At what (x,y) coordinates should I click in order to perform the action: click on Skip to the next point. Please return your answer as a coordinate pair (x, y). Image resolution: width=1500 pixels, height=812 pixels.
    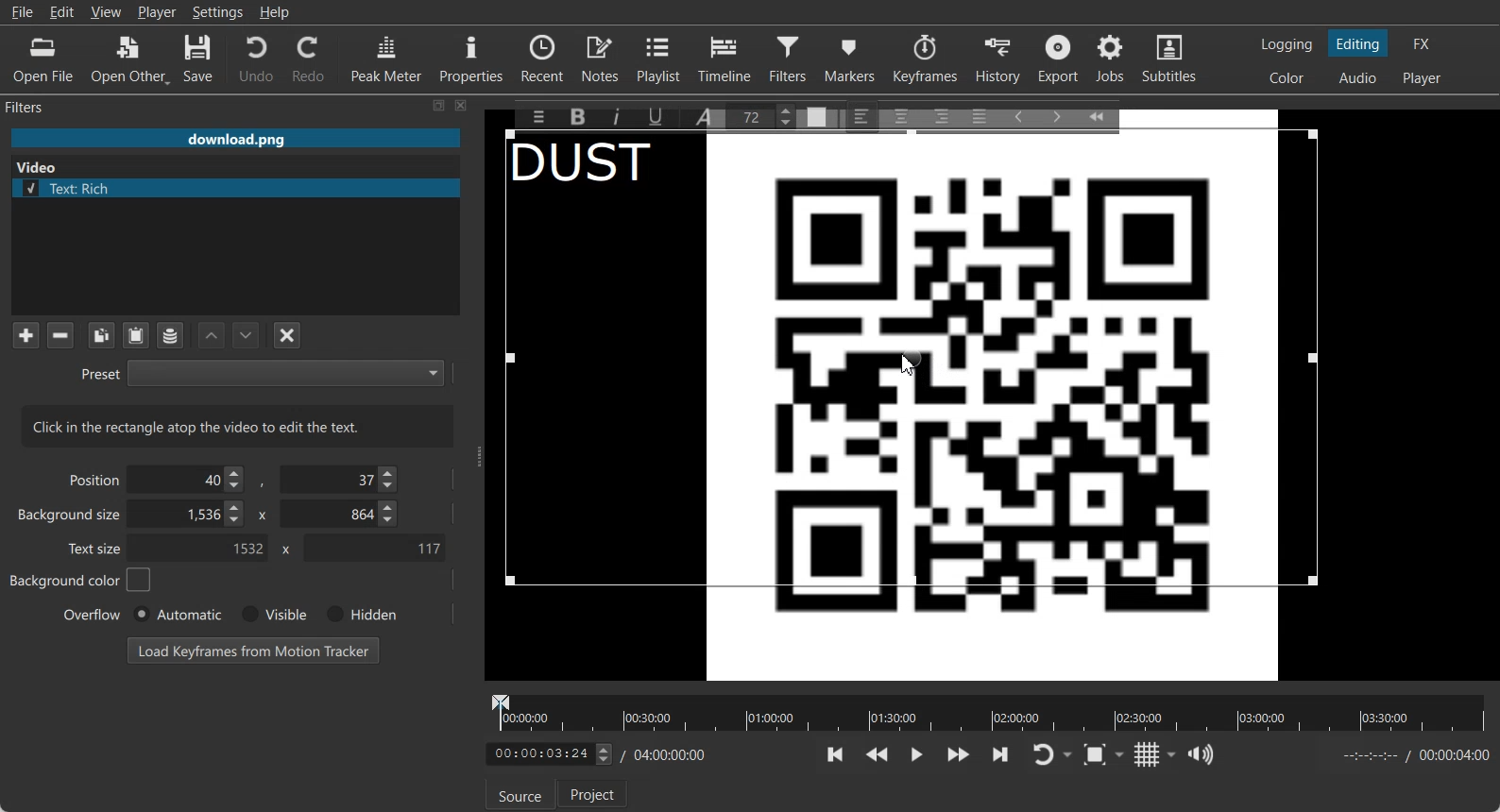
    Looking at the image, I should click on (999, 753).